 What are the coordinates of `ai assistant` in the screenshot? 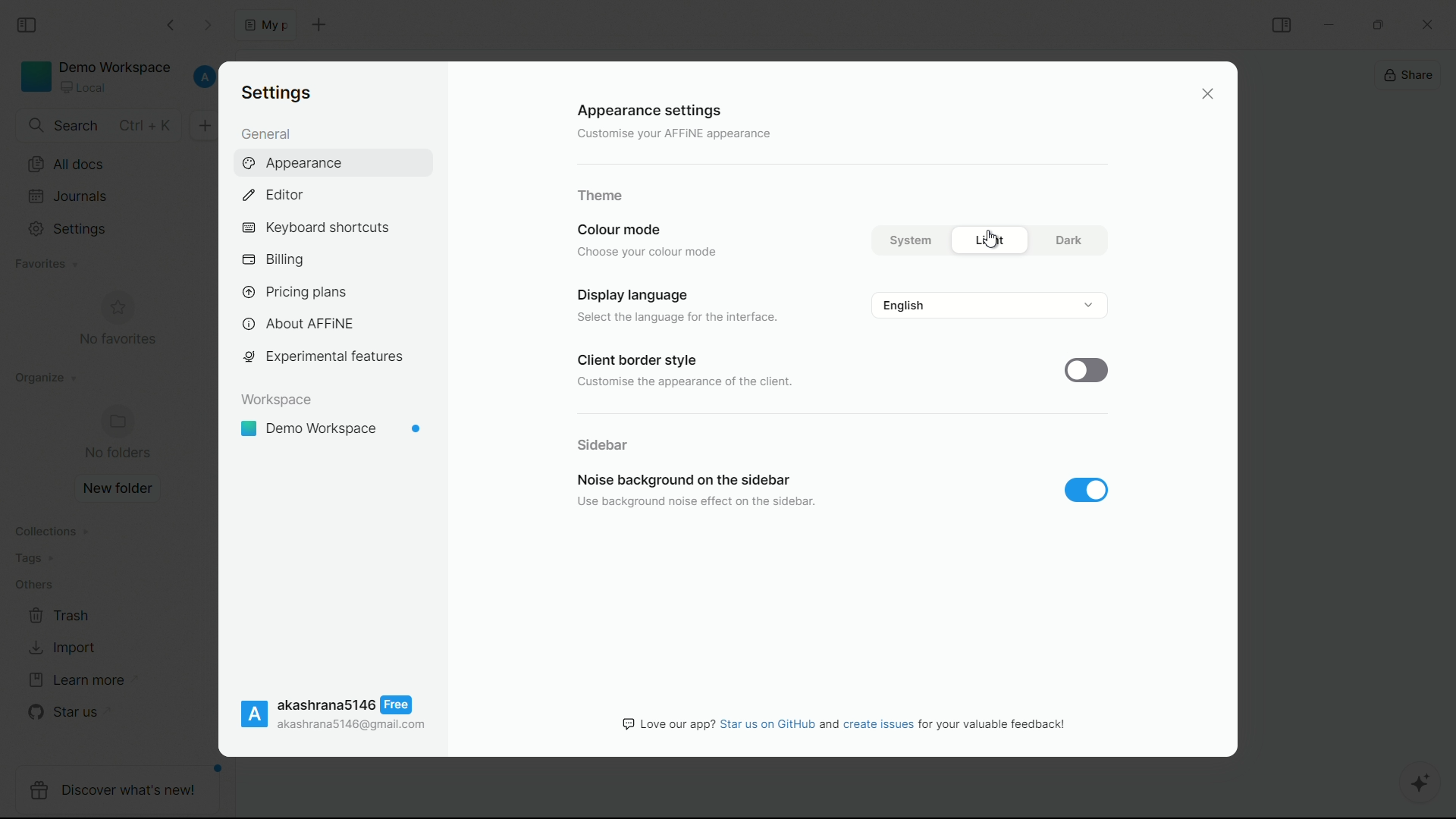 It's located at (1423, 785).